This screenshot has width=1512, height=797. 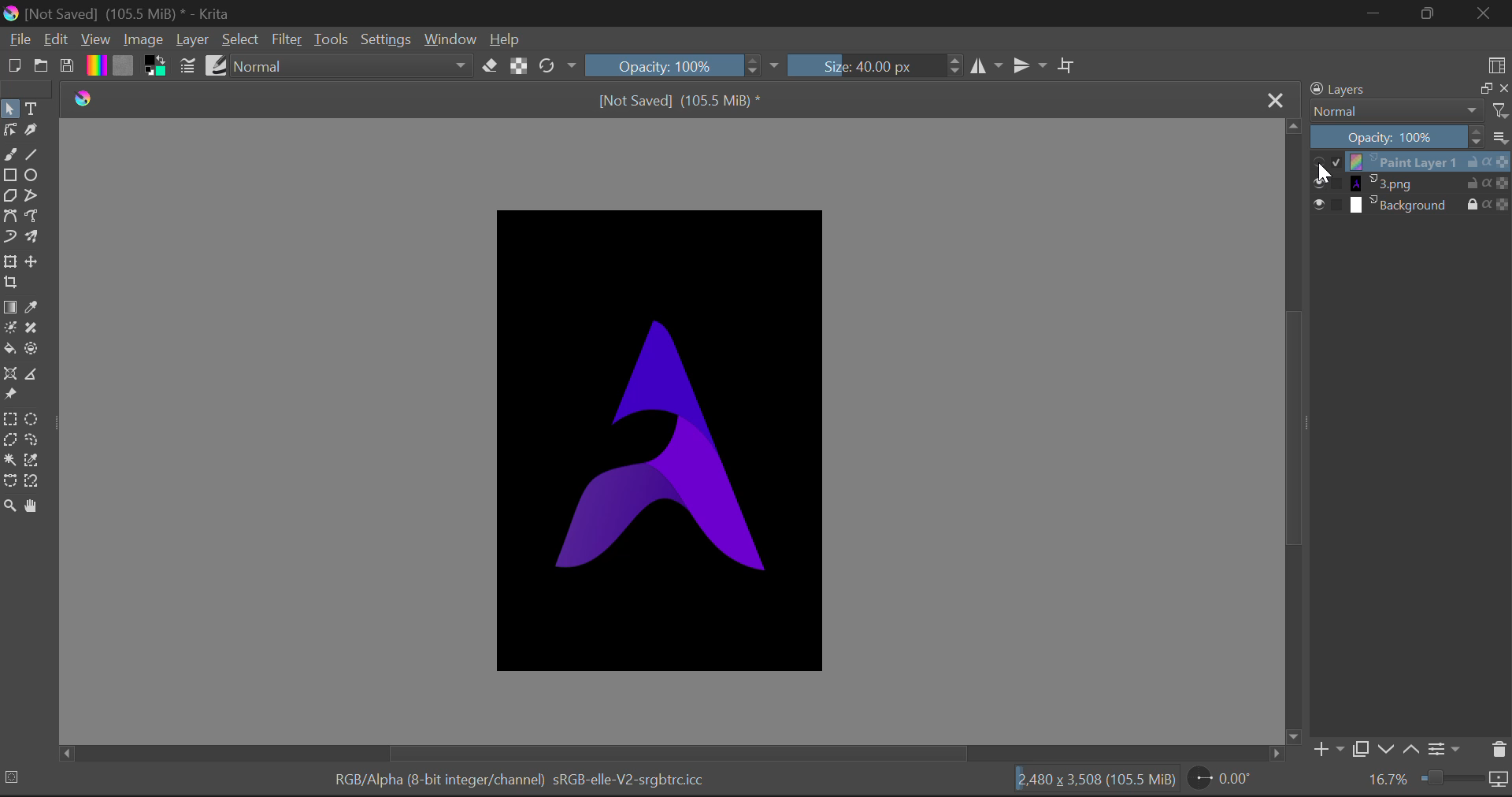 What do you see at coordinates (1428, 13) in the screenshot?
I see `Maximise` at bounding box center [1428, 13].